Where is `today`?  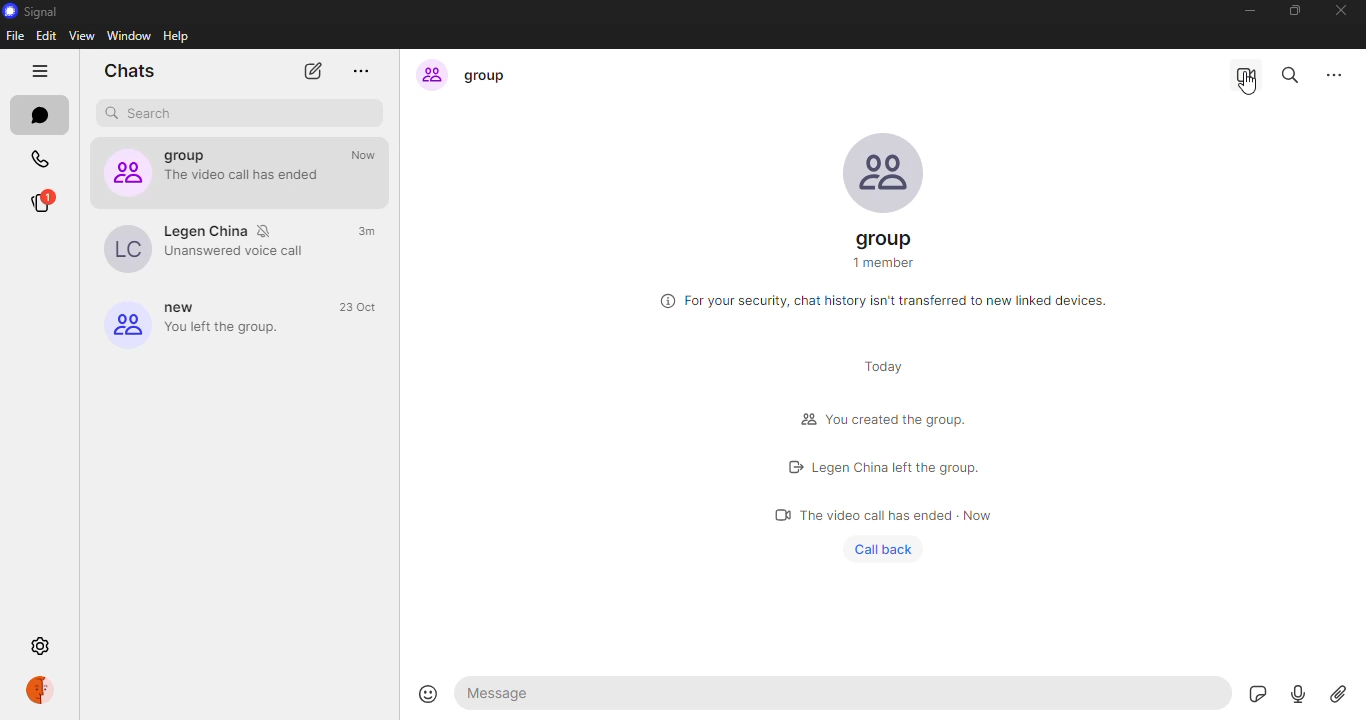 today is located at coordinates (884, 364).